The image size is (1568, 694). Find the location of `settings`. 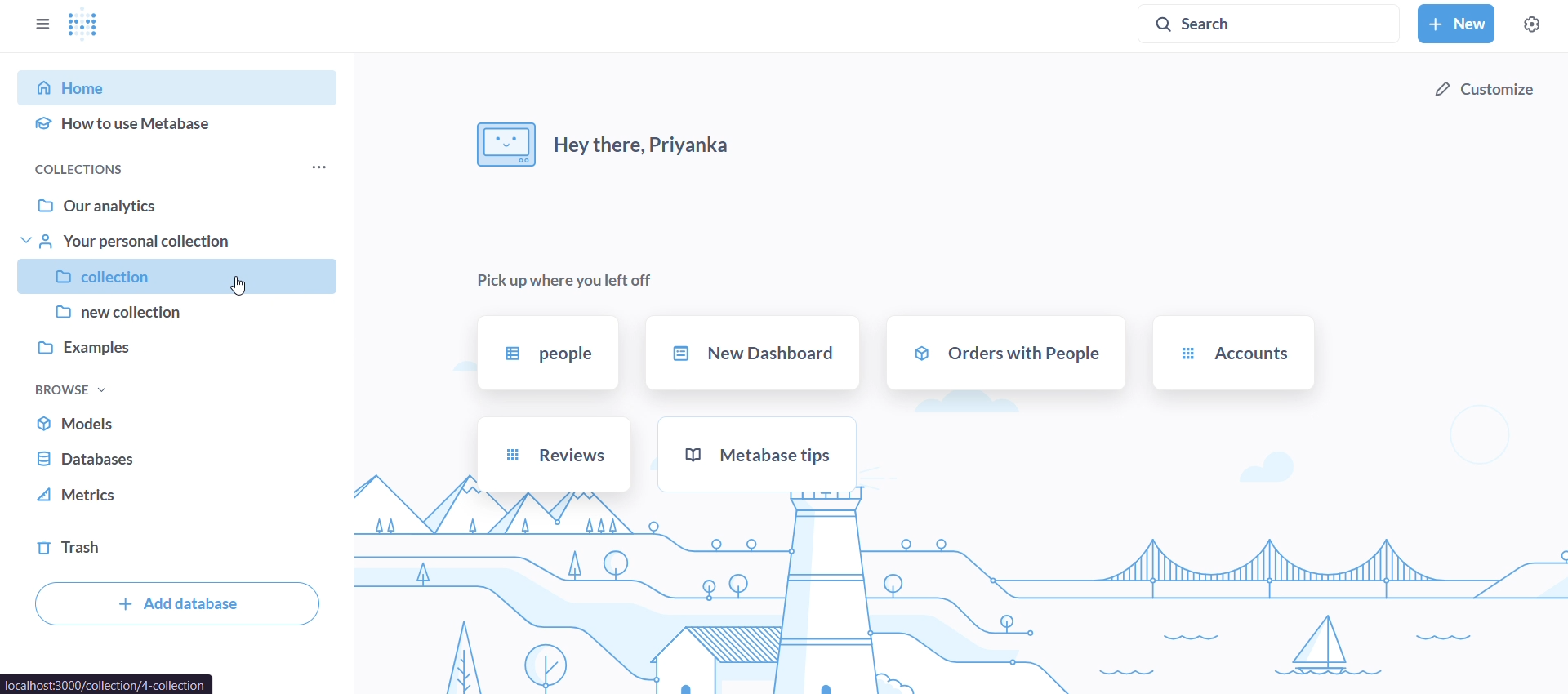

settings is located at coordinates (1530, 24).